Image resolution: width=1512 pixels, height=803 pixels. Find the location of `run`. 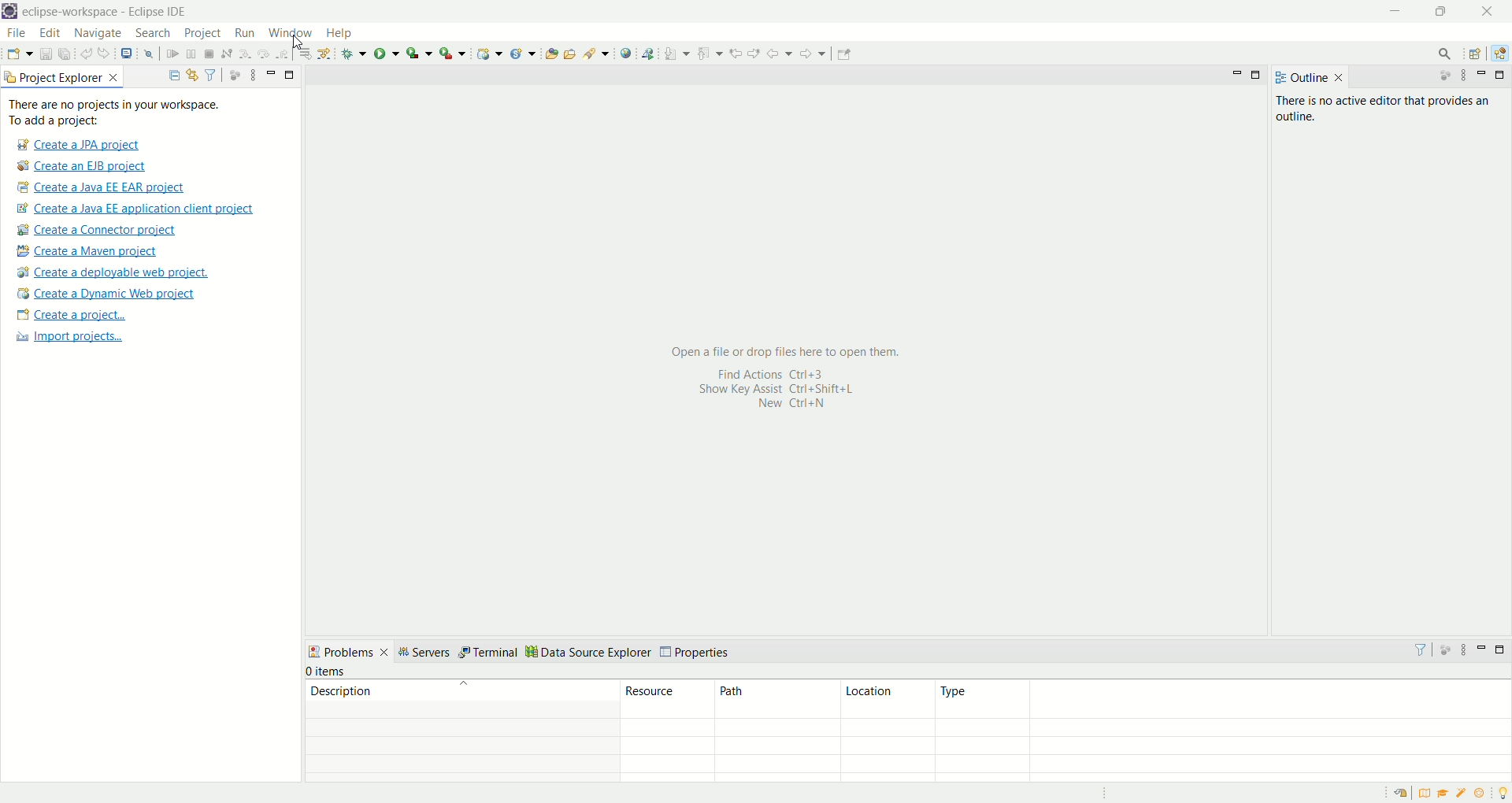

run is located at coordinates (387, 53).